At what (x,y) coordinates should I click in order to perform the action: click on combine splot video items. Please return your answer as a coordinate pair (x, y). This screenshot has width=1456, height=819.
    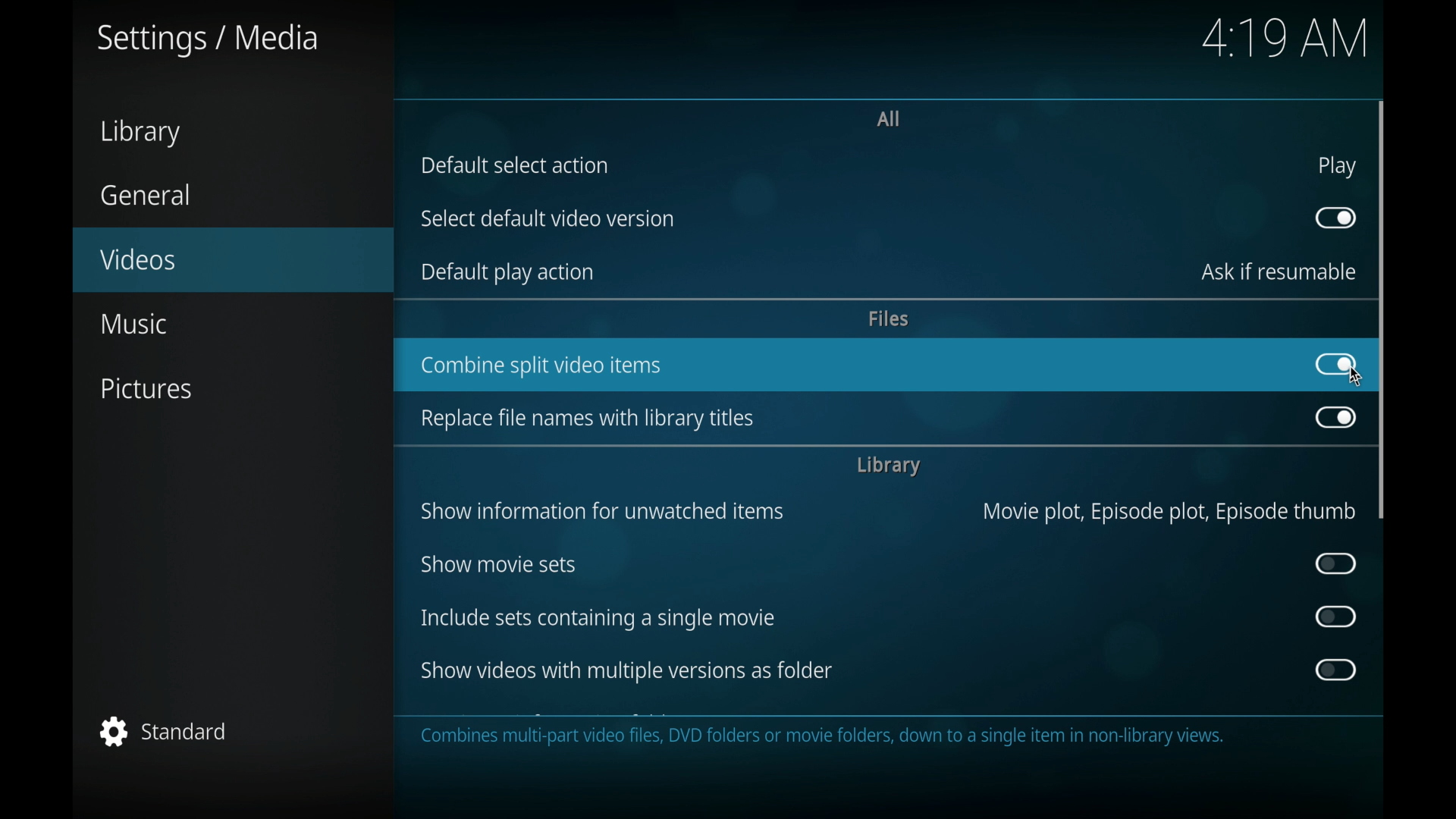
    Looking at the image, I should click on (541, 366).